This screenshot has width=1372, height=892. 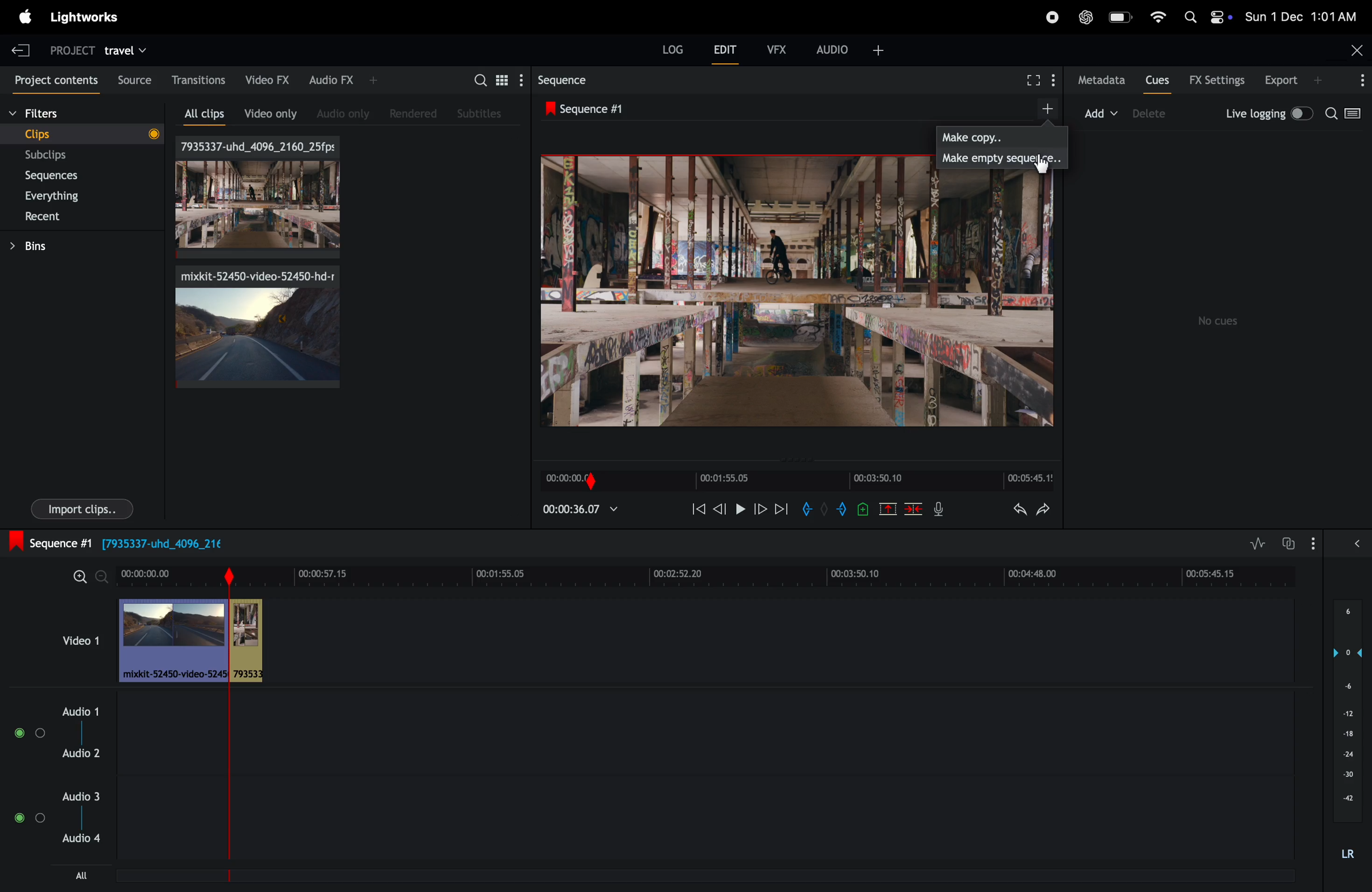 I want to click on toggle audio levels, so click(x=1257, y=543).